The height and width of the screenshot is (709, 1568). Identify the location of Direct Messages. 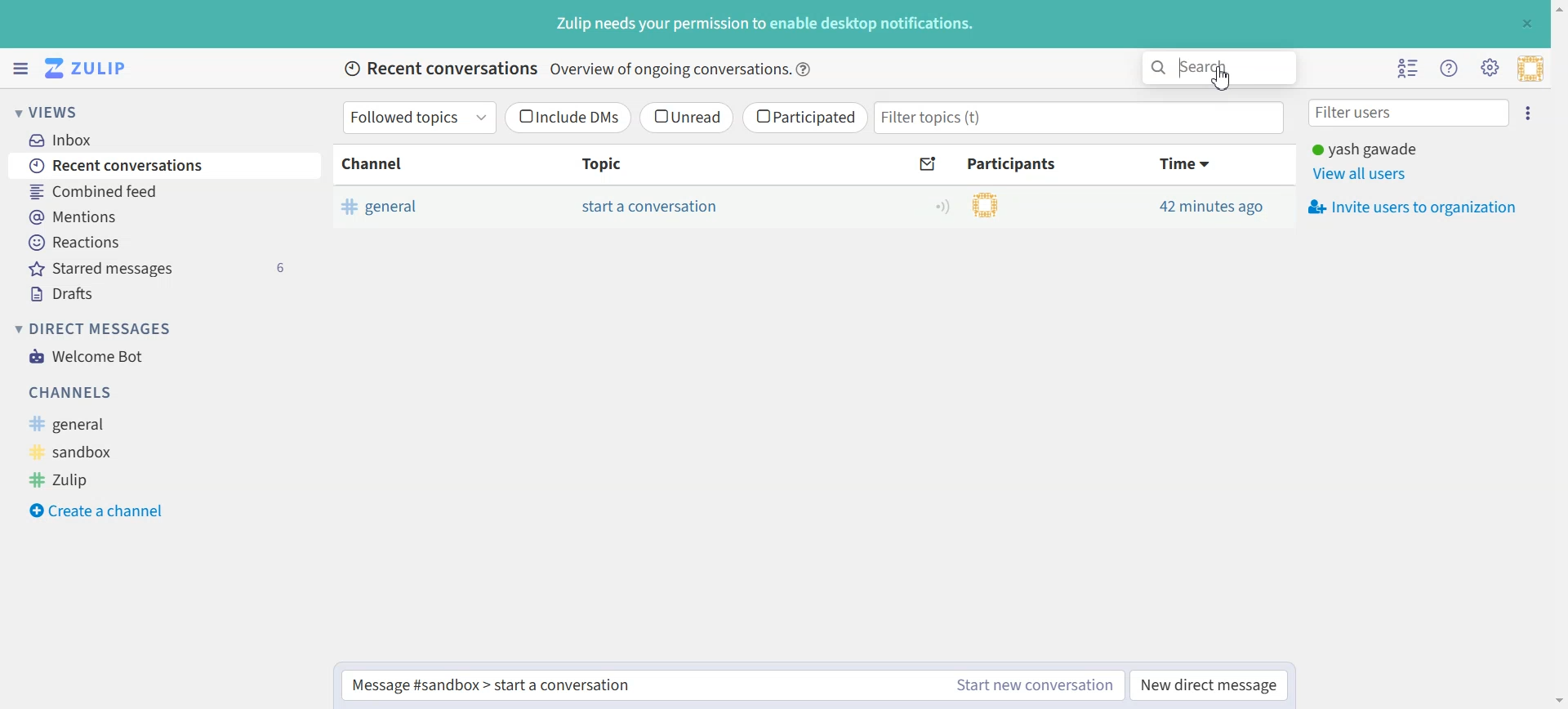
(93, 328).